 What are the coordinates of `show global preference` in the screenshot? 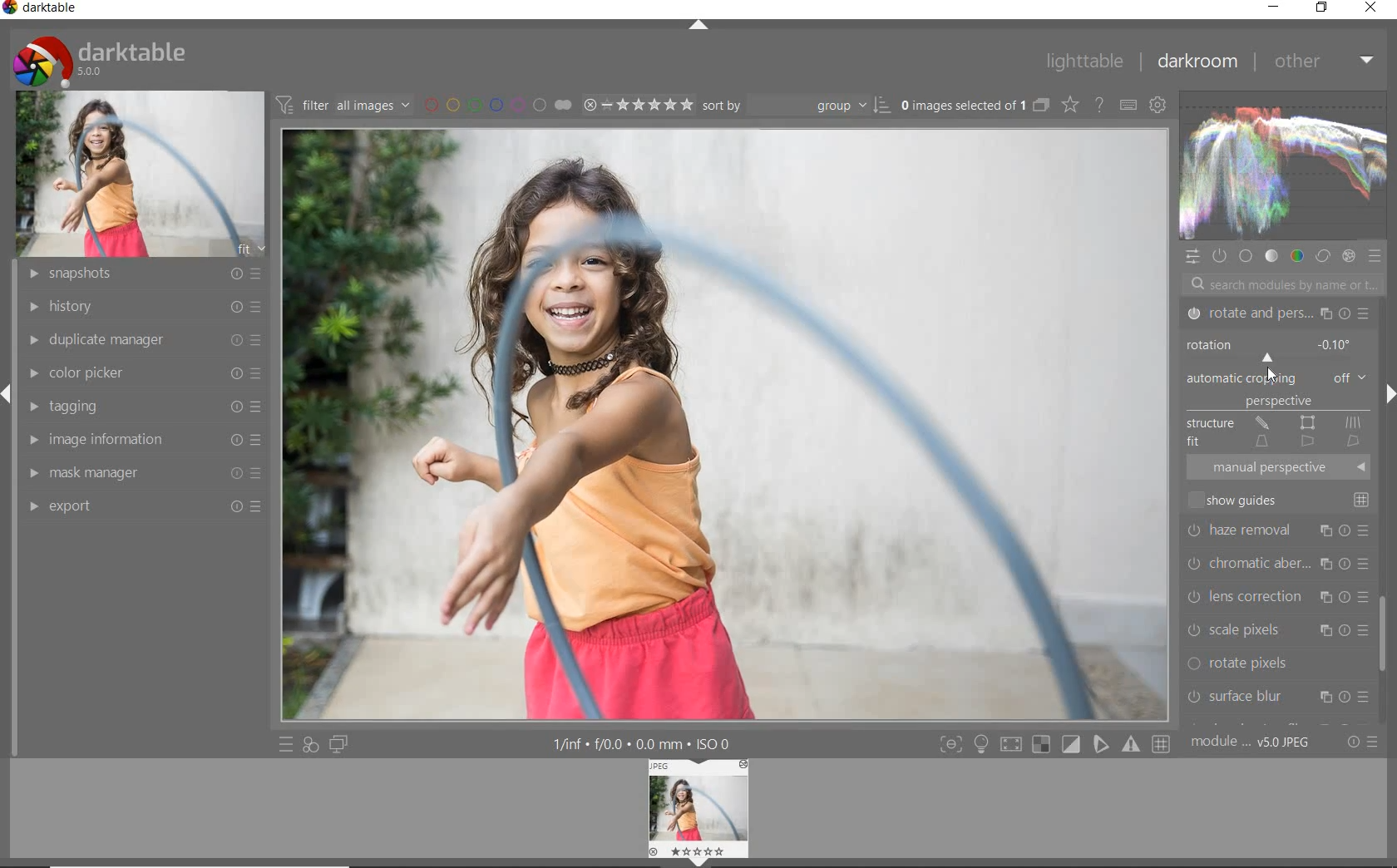 It's located at (1156, 102).